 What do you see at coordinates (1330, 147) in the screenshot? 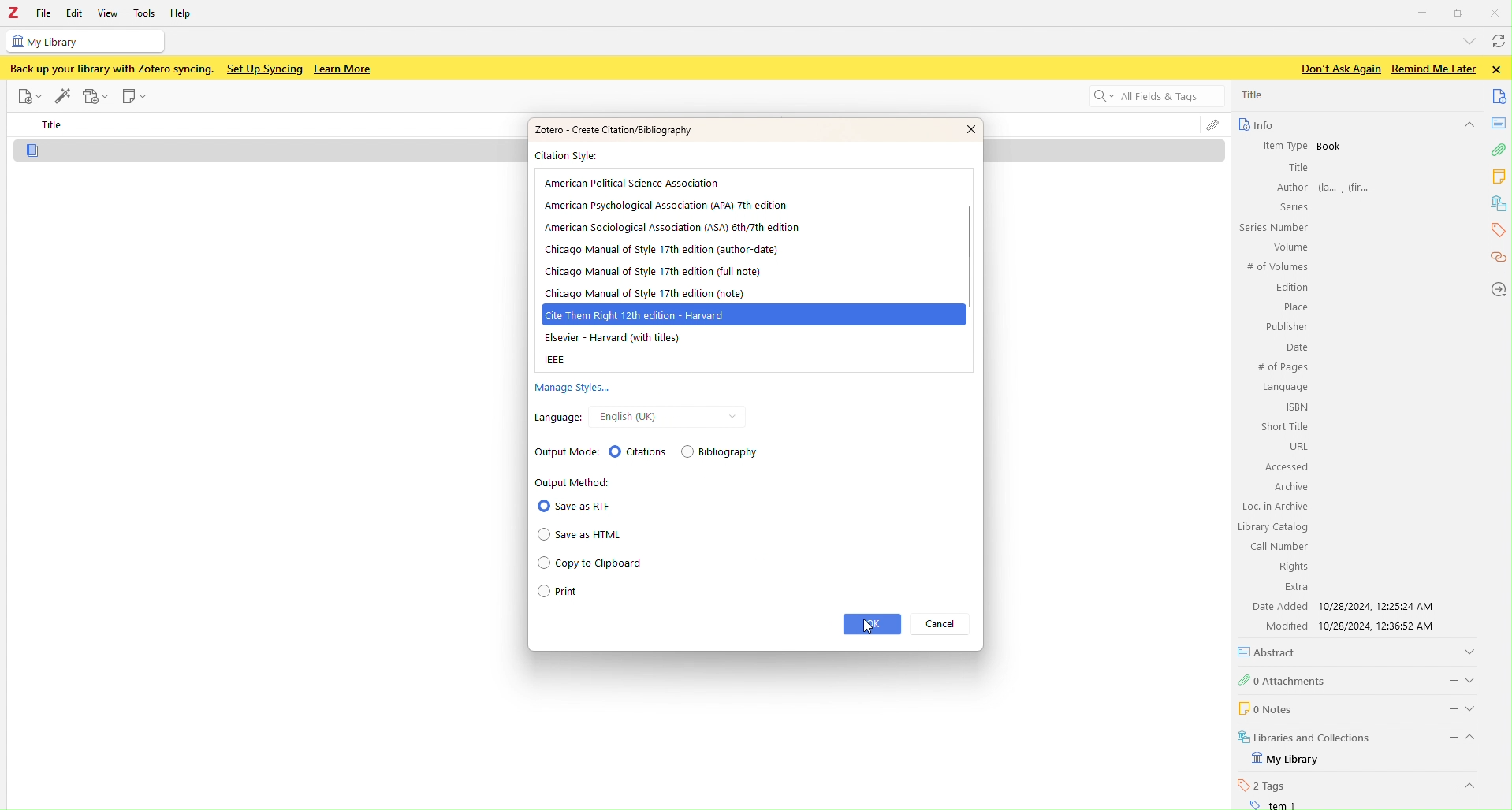
I see `Book` at bounding box center [1330, 147].